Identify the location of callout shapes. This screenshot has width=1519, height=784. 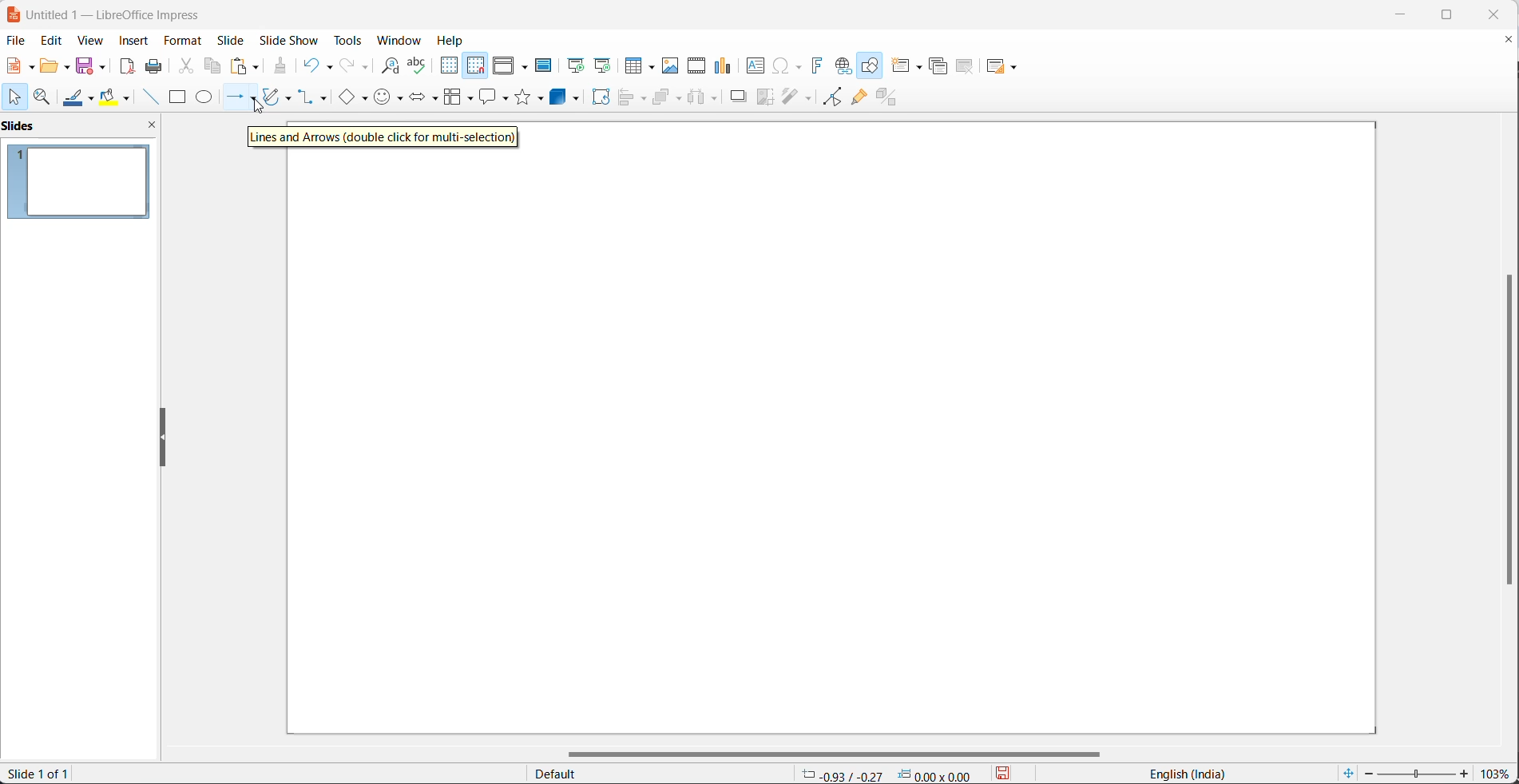
(492, 97).